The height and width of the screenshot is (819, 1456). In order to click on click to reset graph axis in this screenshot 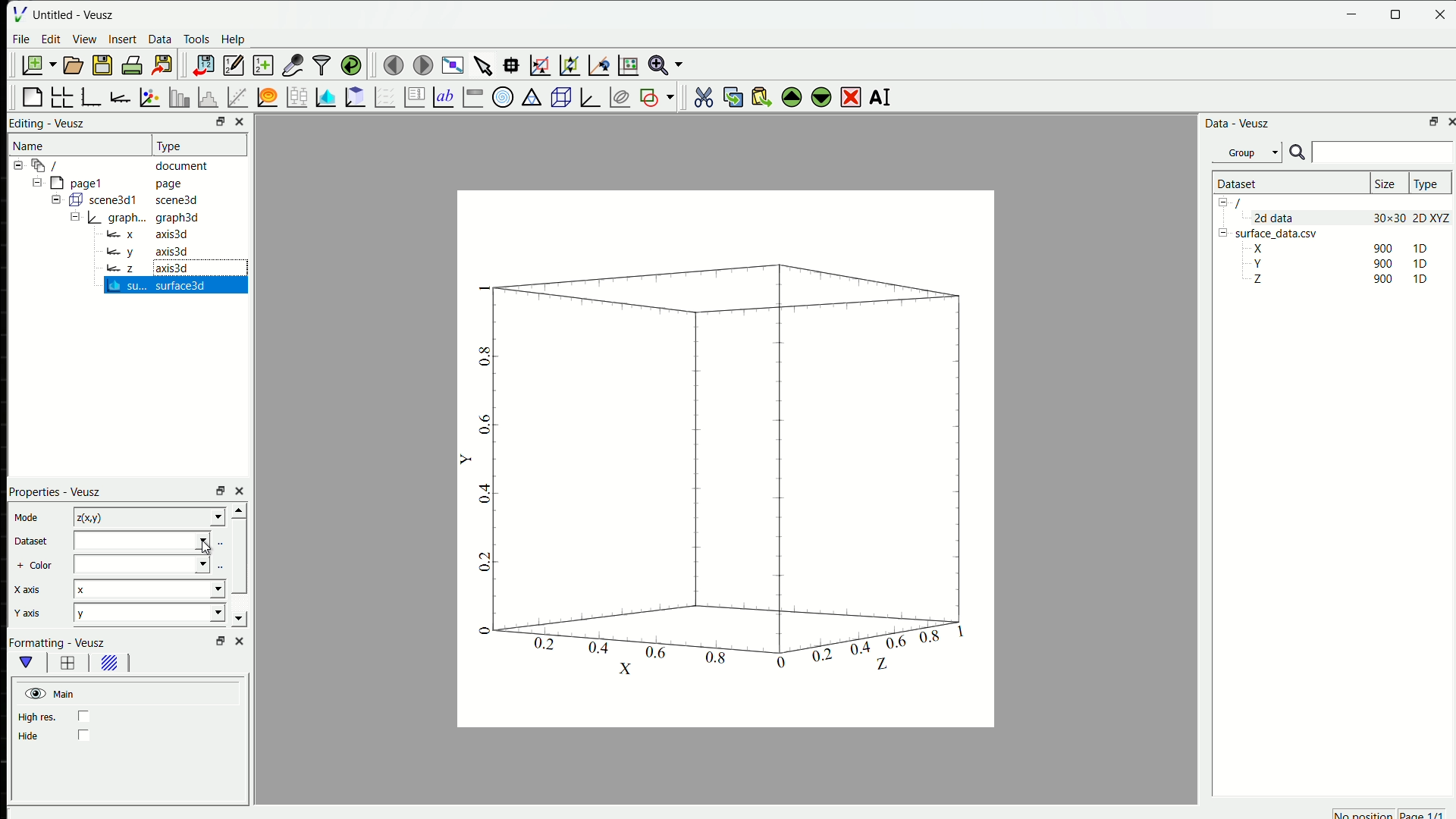, I will do `click(629, 65)`.